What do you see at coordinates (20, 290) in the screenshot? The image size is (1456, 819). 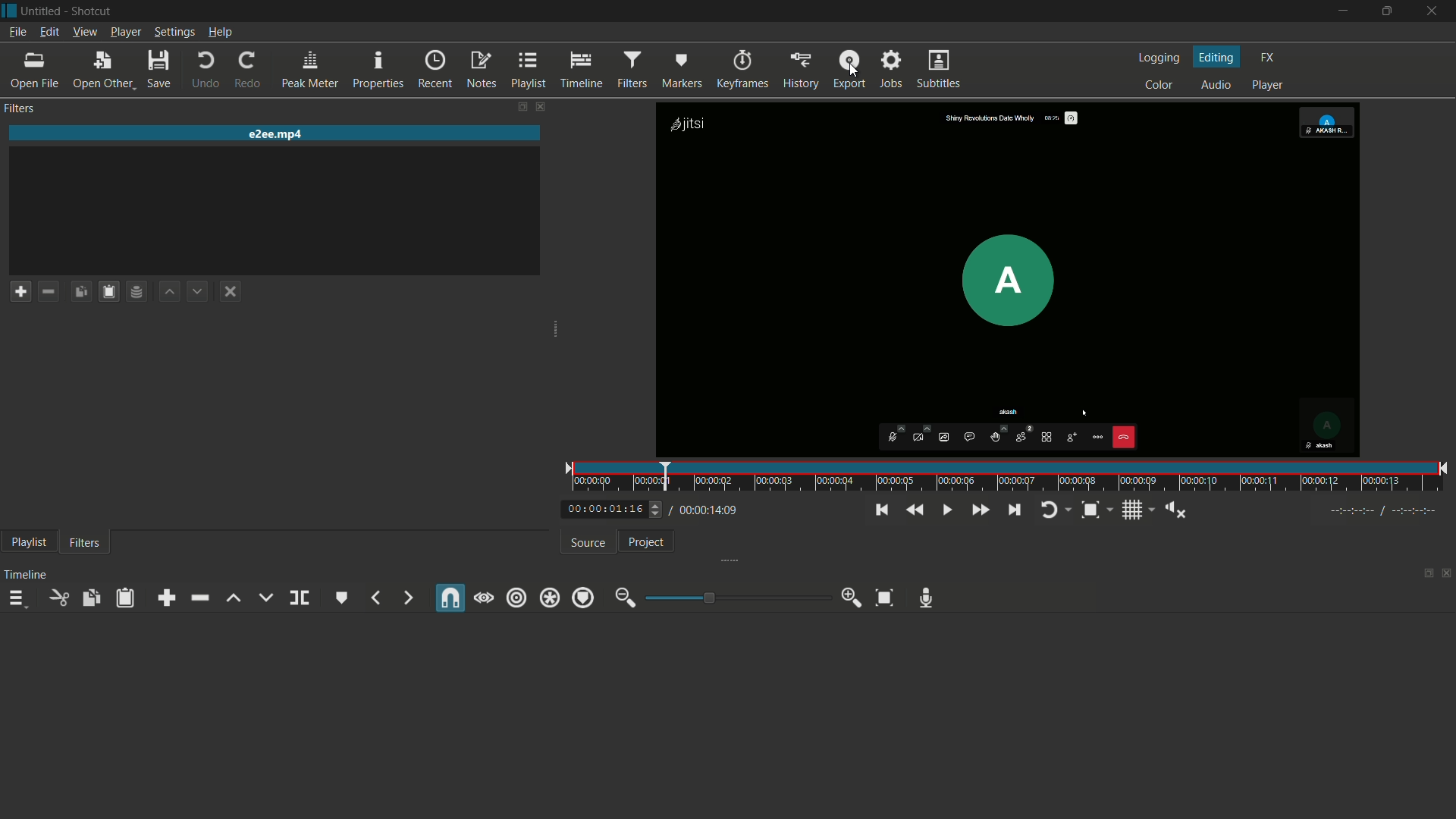 I see `add a filter` at bounding box center [20, 290].